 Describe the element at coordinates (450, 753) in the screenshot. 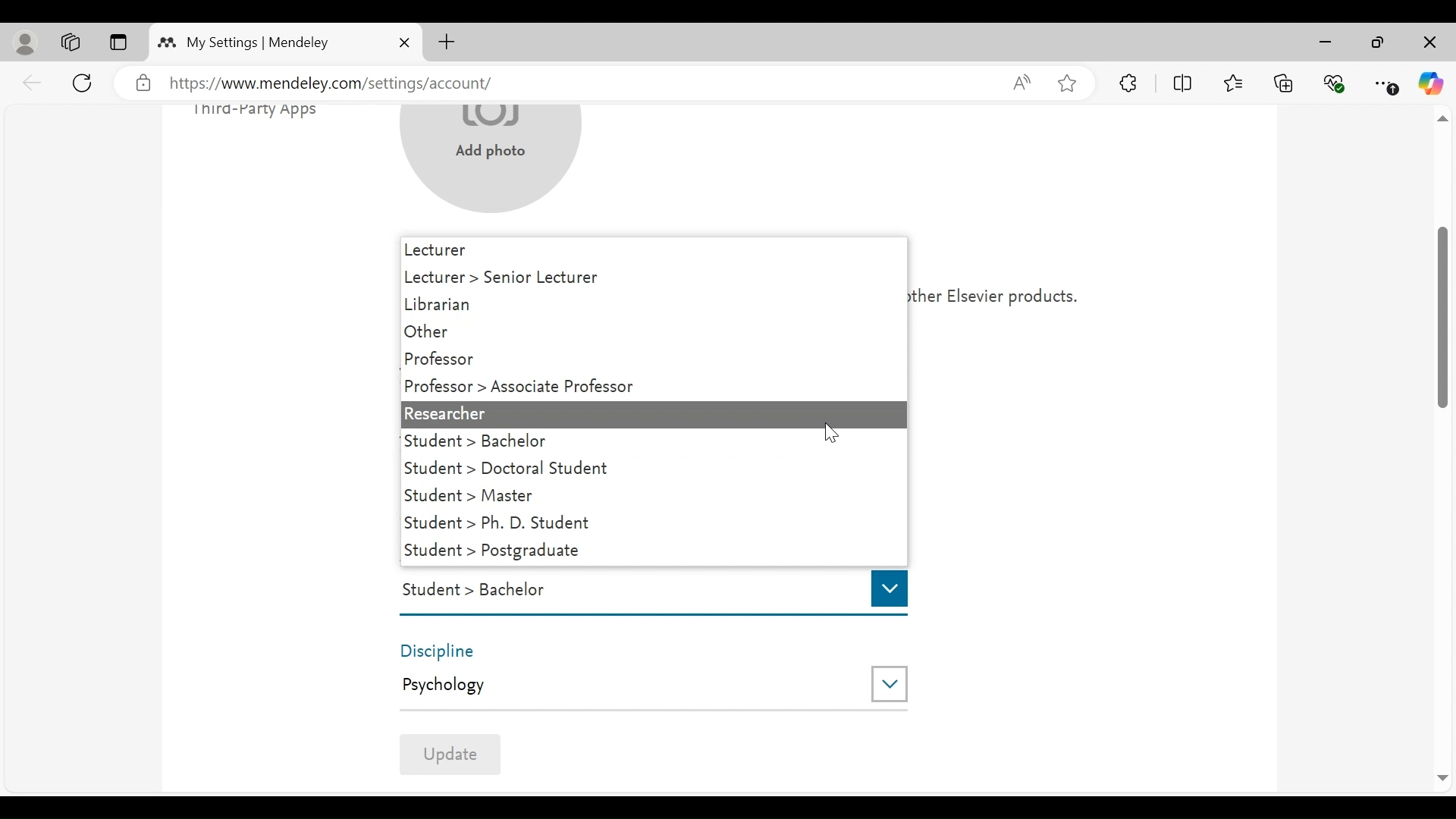

I see `Update` at that location.